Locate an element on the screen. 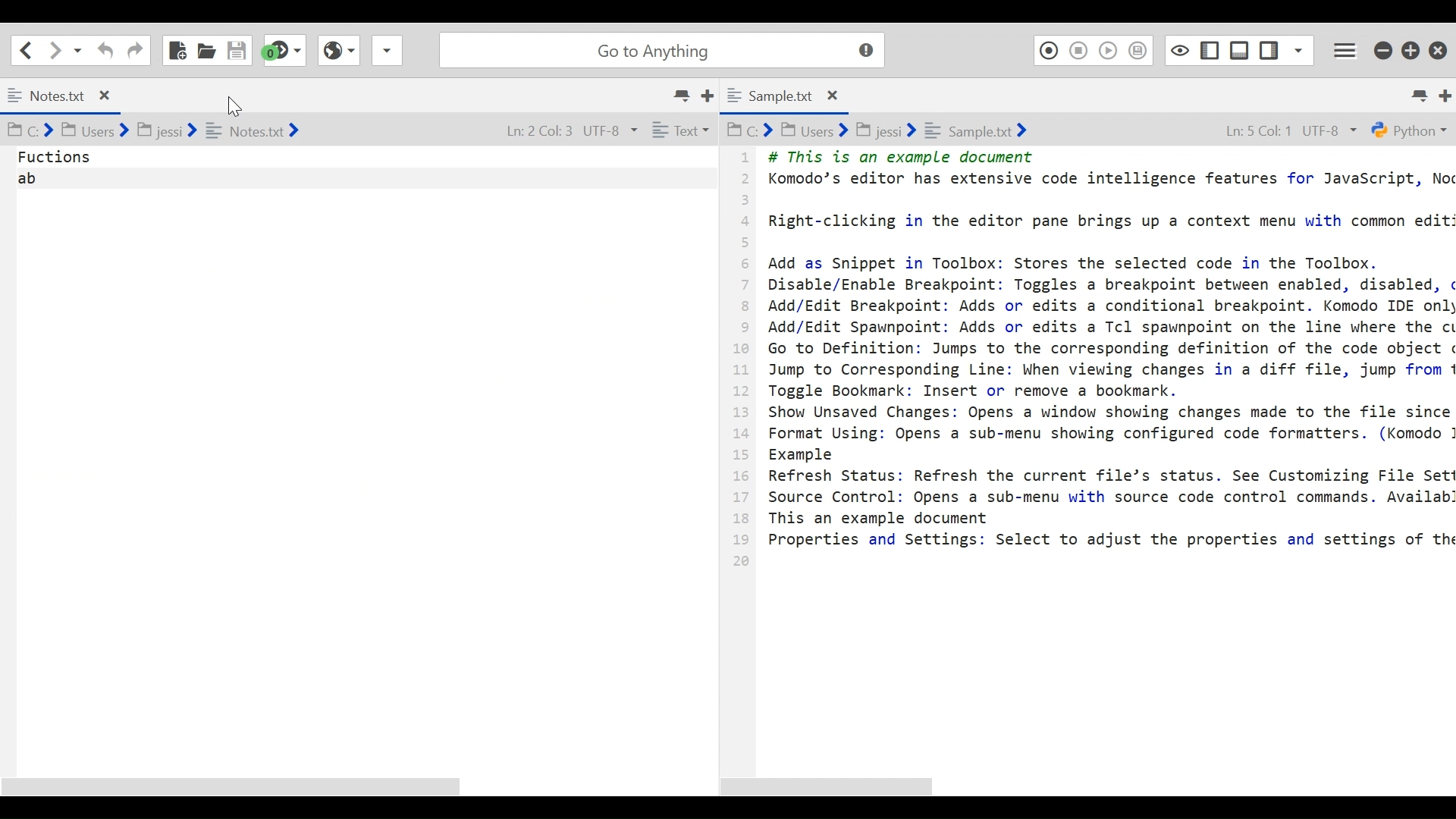 This screenshot has height=819, width=1456. C:> Users> jessi> Notes.txt> is located at coordinates (178, 130).